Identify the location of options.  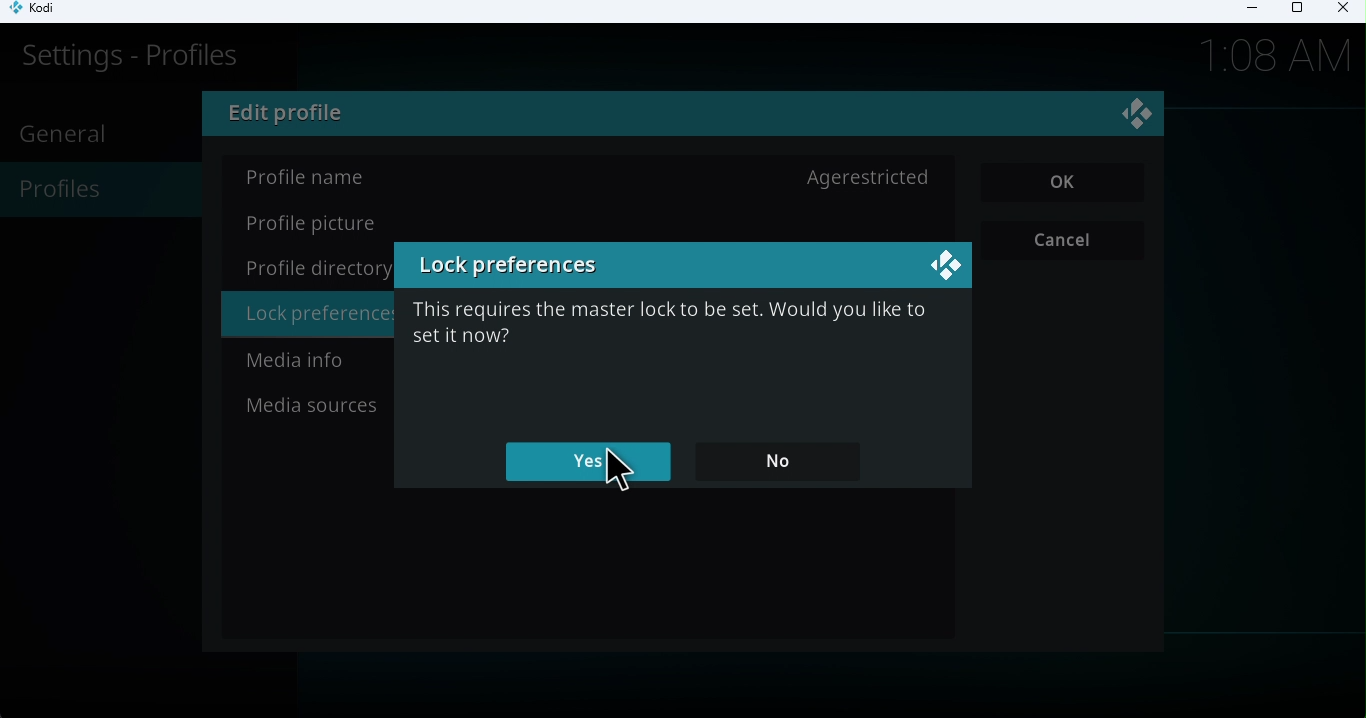
(310, 319).